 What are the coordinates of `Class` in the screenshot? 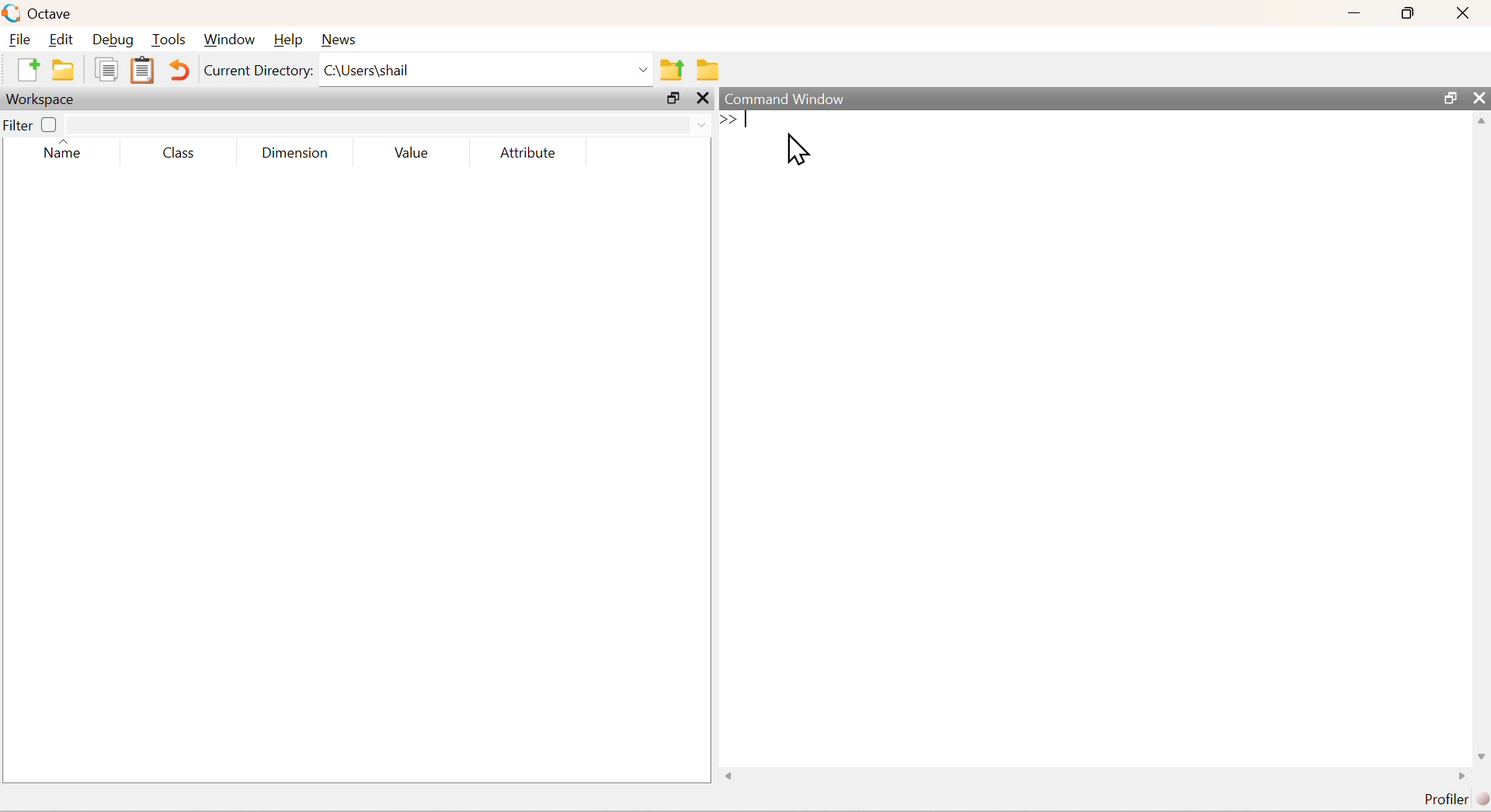 It's located at (179, 151).